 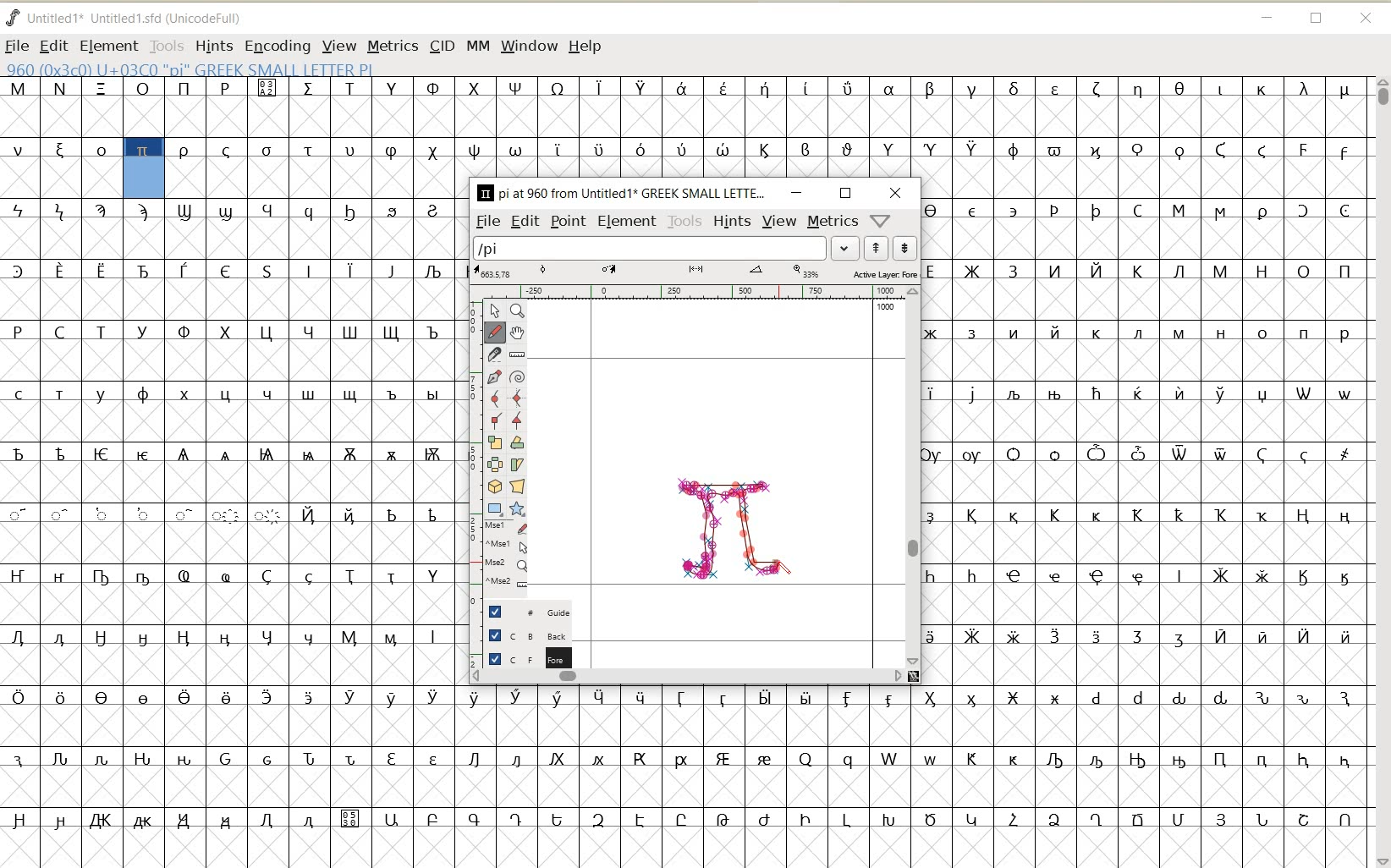 What do you see at coordinates (494, 310) in the screenshot?
I see `pointer` at bounding box center [494, 310].